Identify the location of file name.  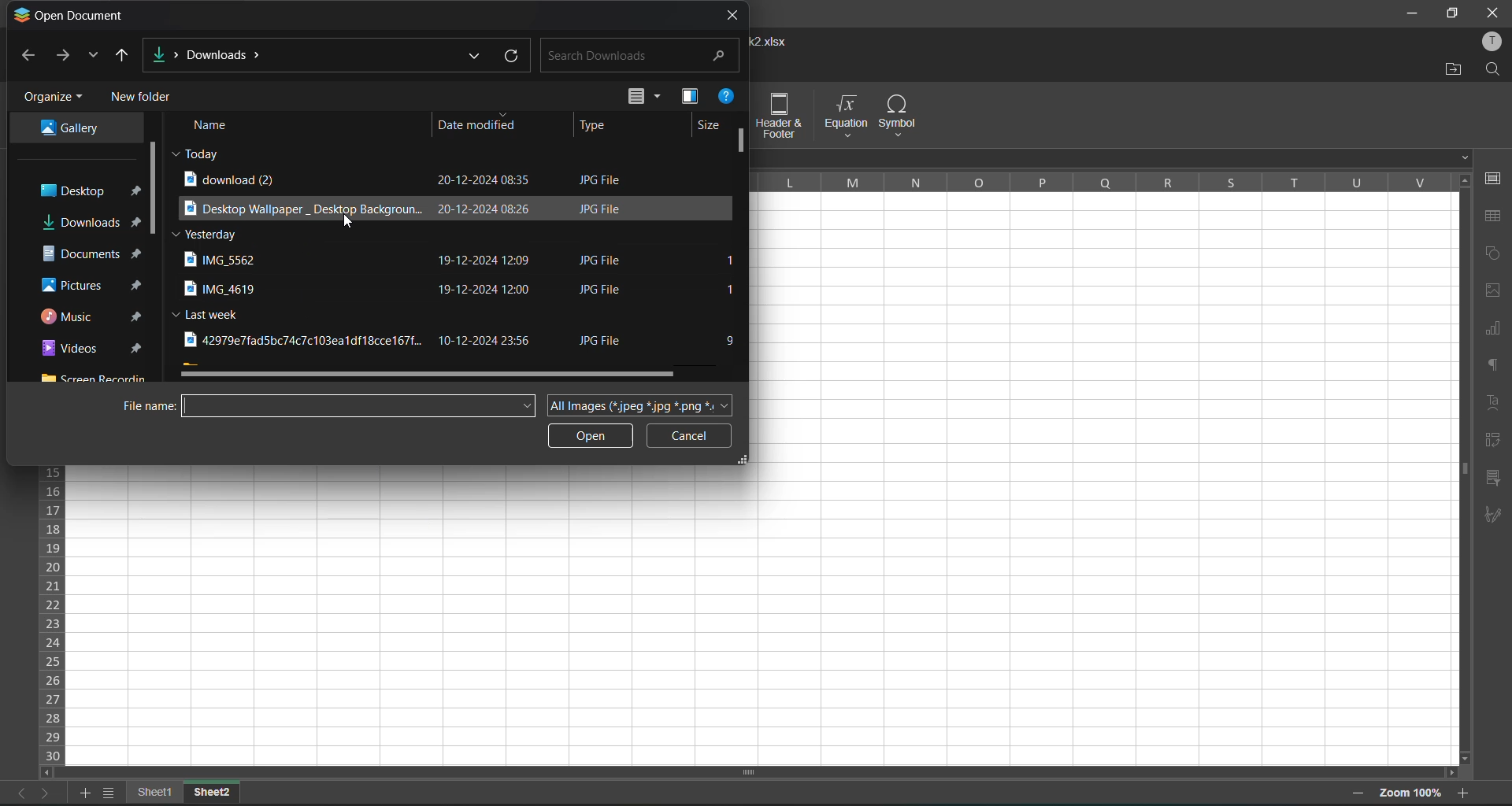
(330, 405).